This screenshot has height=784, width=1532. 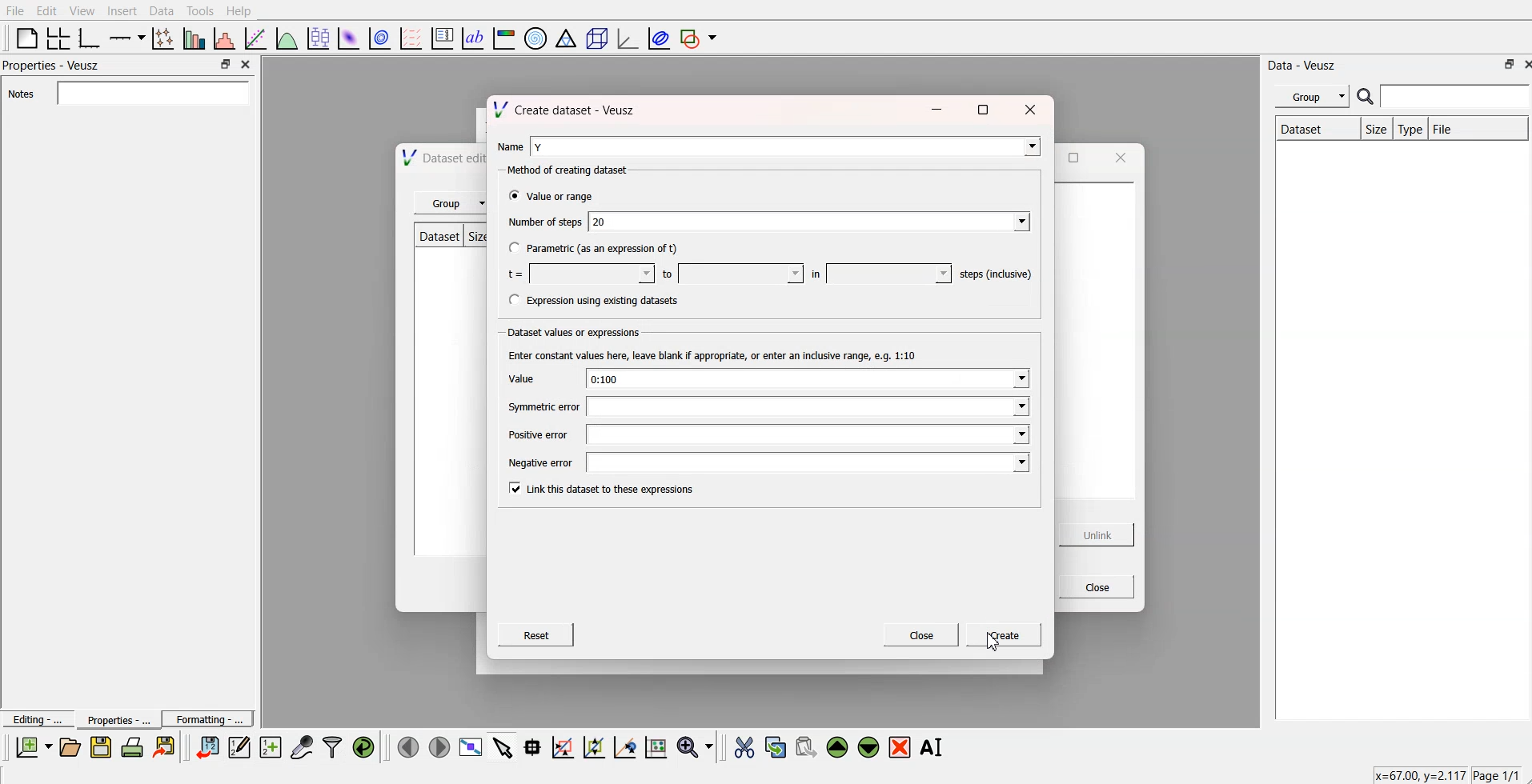 What do you see at coordinates (200, 11) in the screenshot?
I see `Tools` at bounding box center [200, 11].